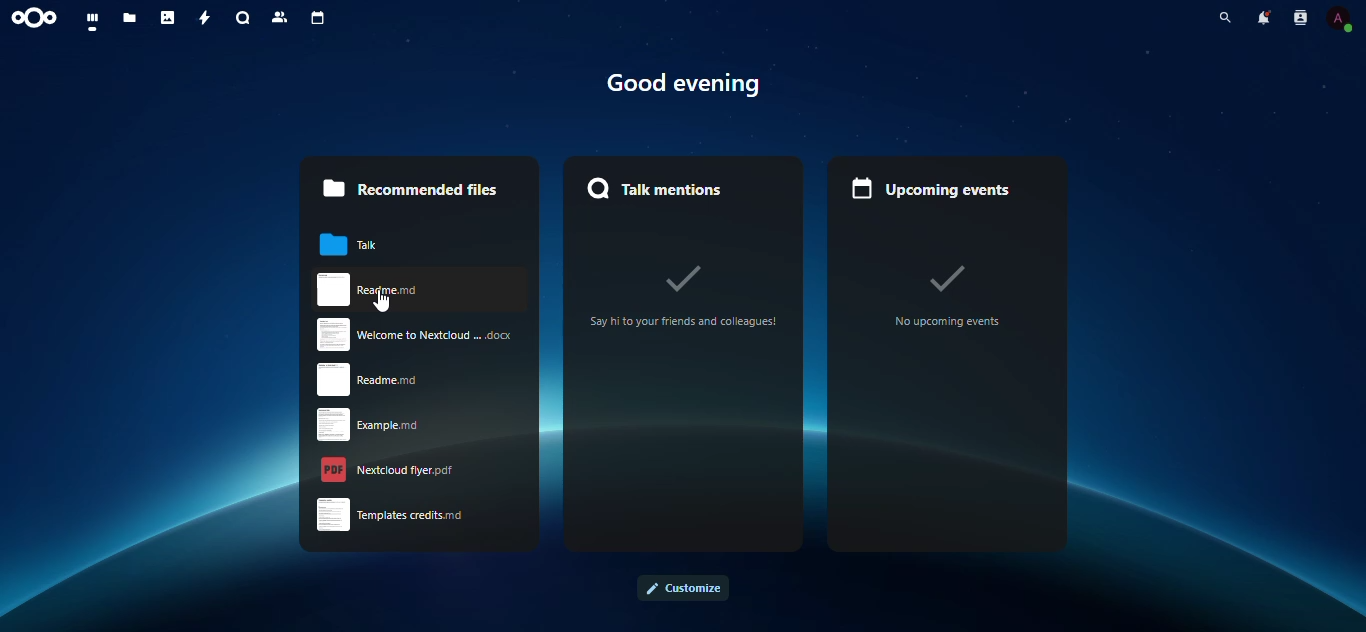  What do you see at coordinates (1224, 17) in the screenshot?
I see `search` at bounding box center [1224, 17].